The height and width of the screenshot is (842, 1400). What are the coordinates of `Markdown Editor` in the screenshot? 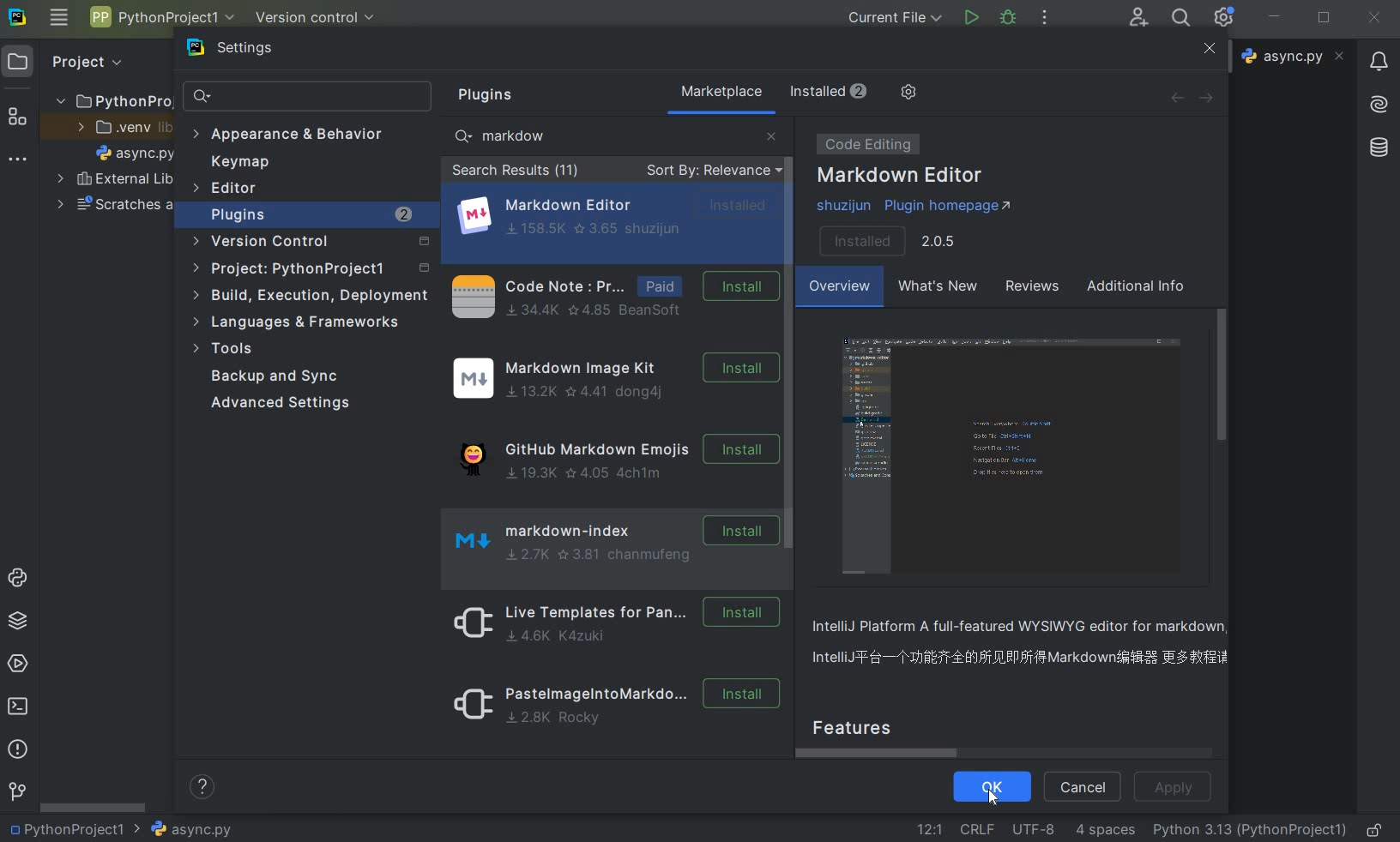 It's located at (902, 177).